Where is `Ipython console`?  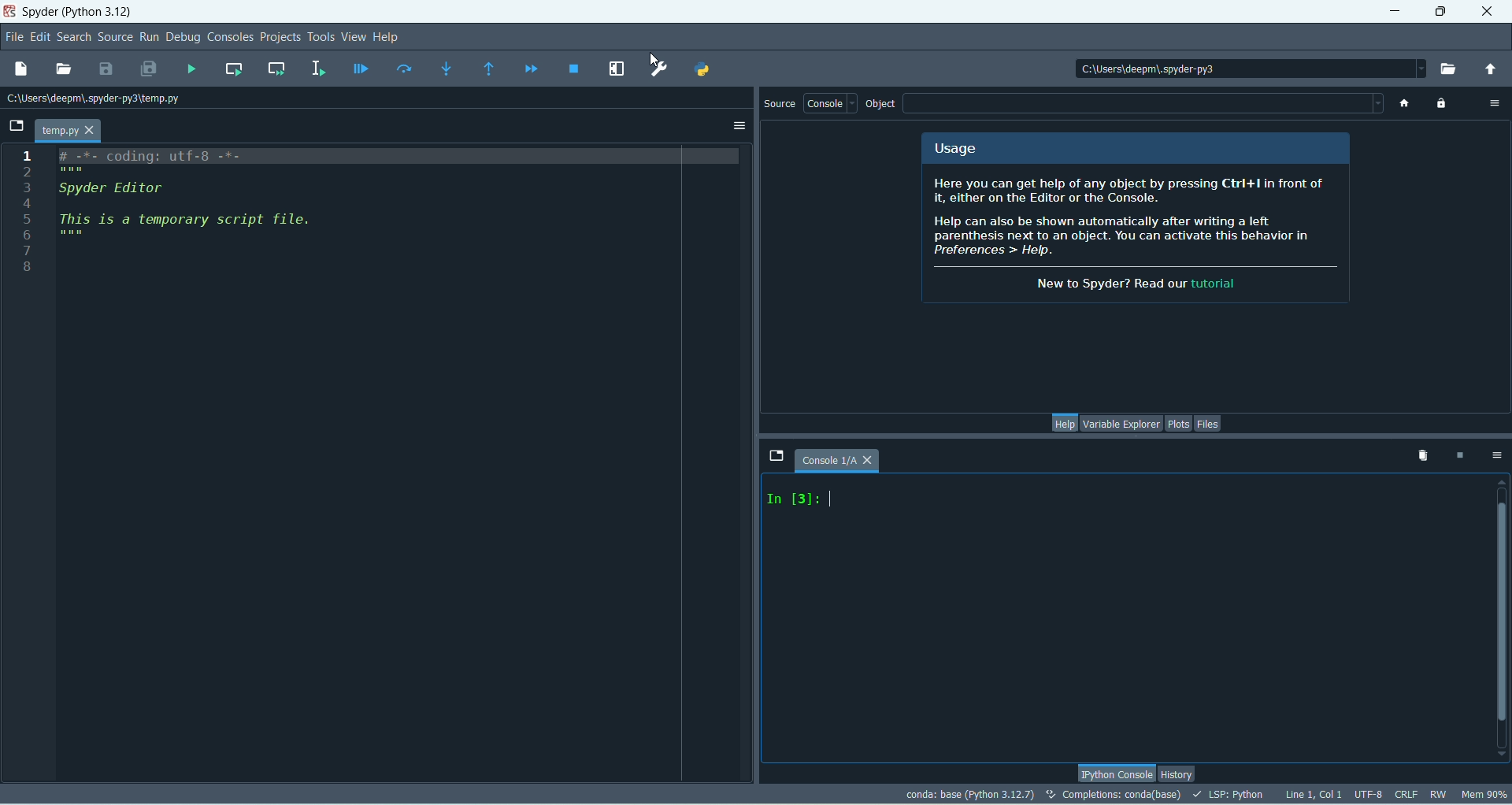 Ipython console is located at coordinates (1115, 771).